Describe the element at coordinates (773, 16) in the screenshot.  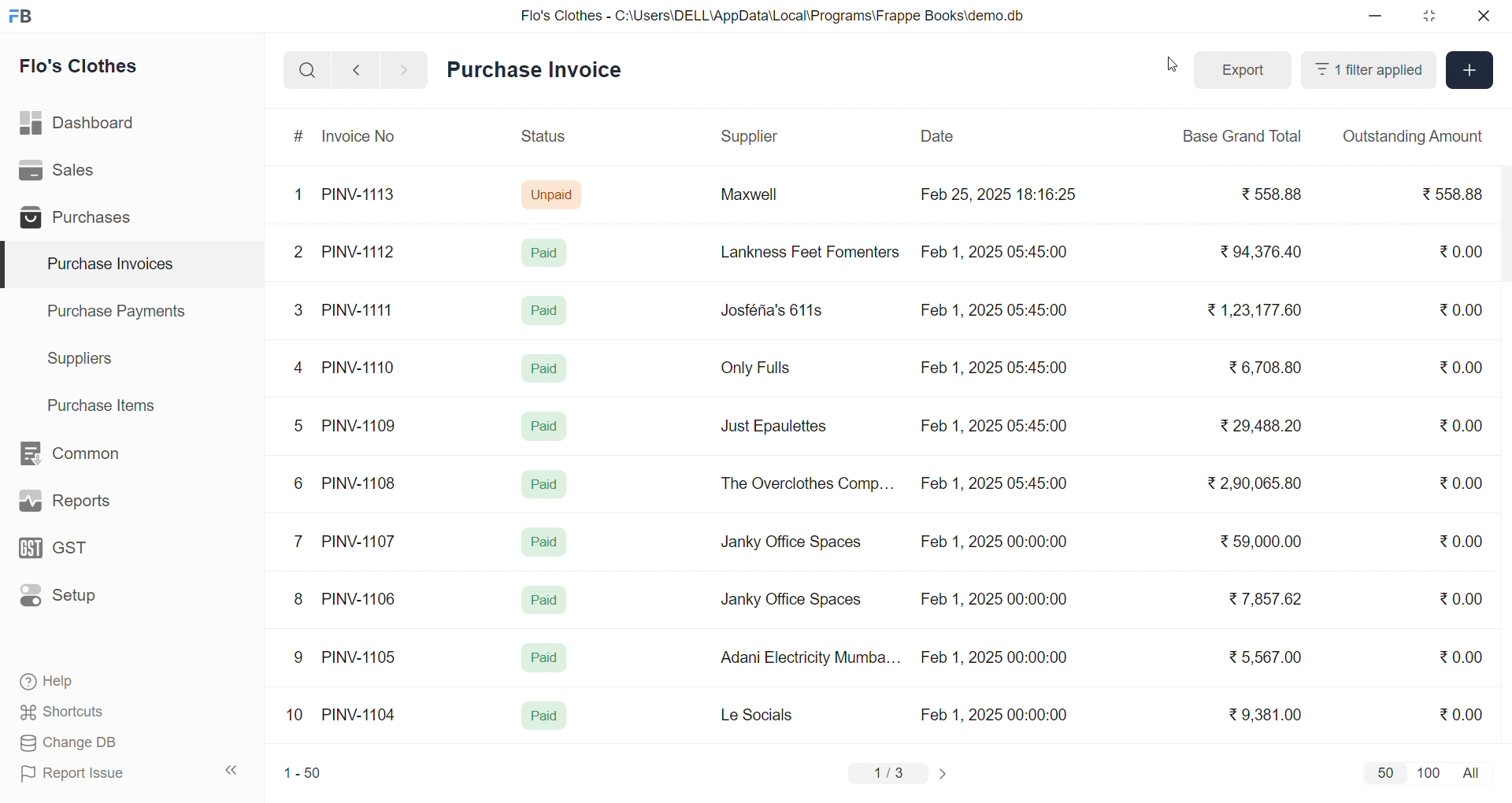
I see `Flo's Clothes - C:\Users\DELL\AppData\Local\Programs\Frappe Books\demo.db` at that location.